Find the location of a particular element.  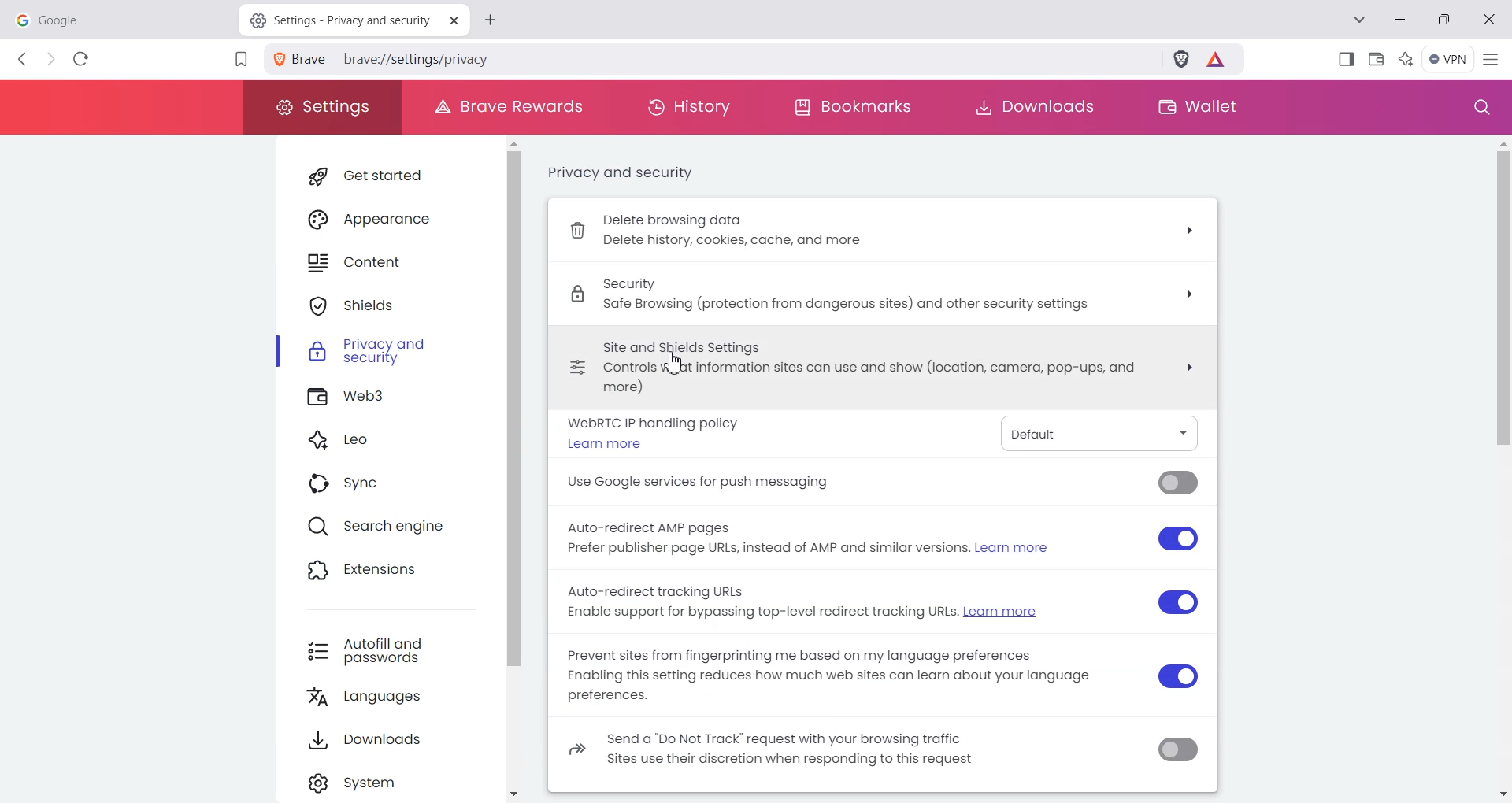

Hamburger Settings is located at coordinates (1494, 58).